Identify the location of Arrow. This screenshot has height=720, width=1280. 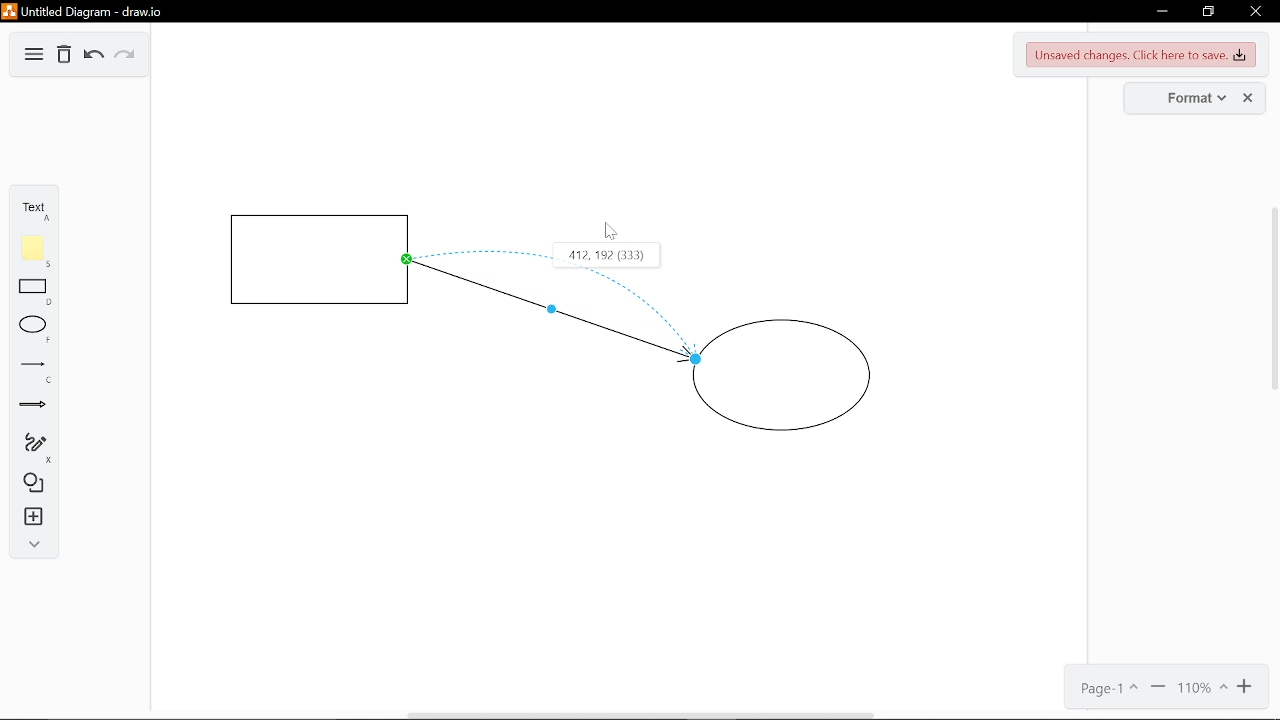
(30, 409).